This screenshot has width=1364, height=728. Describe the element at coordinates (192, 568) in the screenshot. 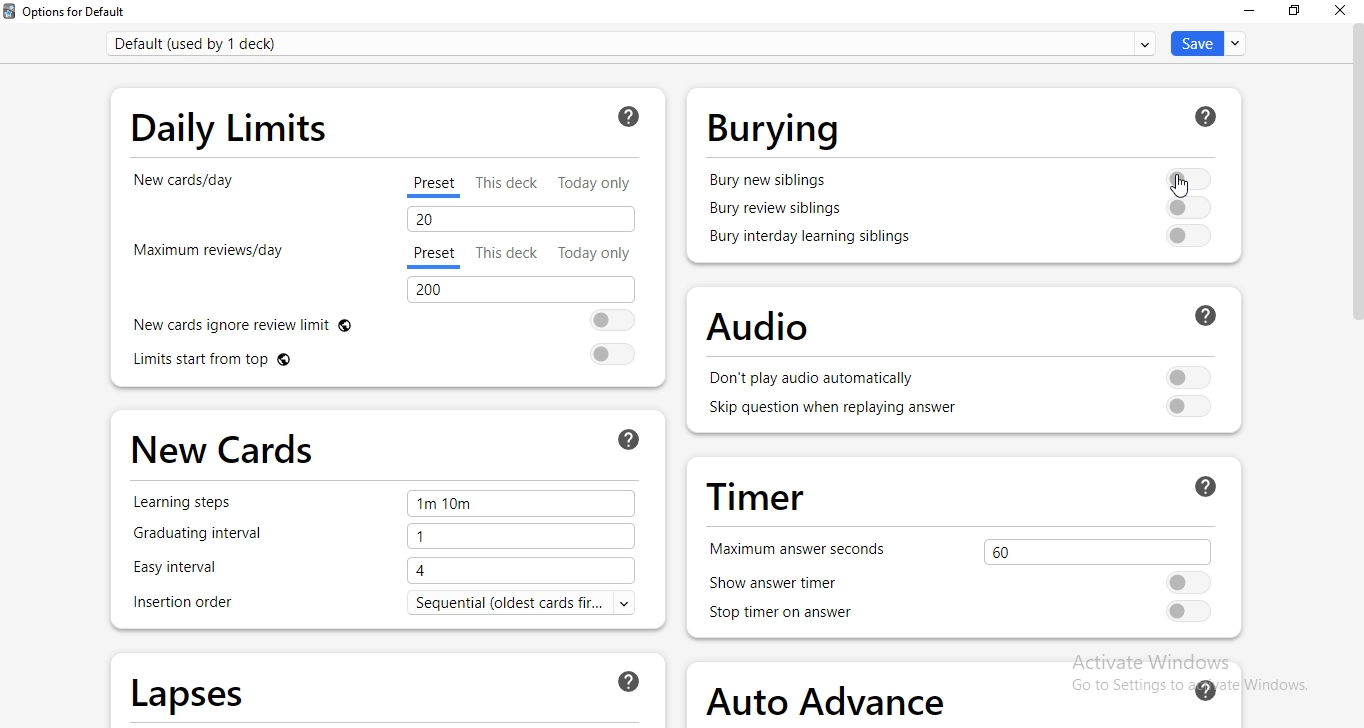

I see `easy interval` at that location.